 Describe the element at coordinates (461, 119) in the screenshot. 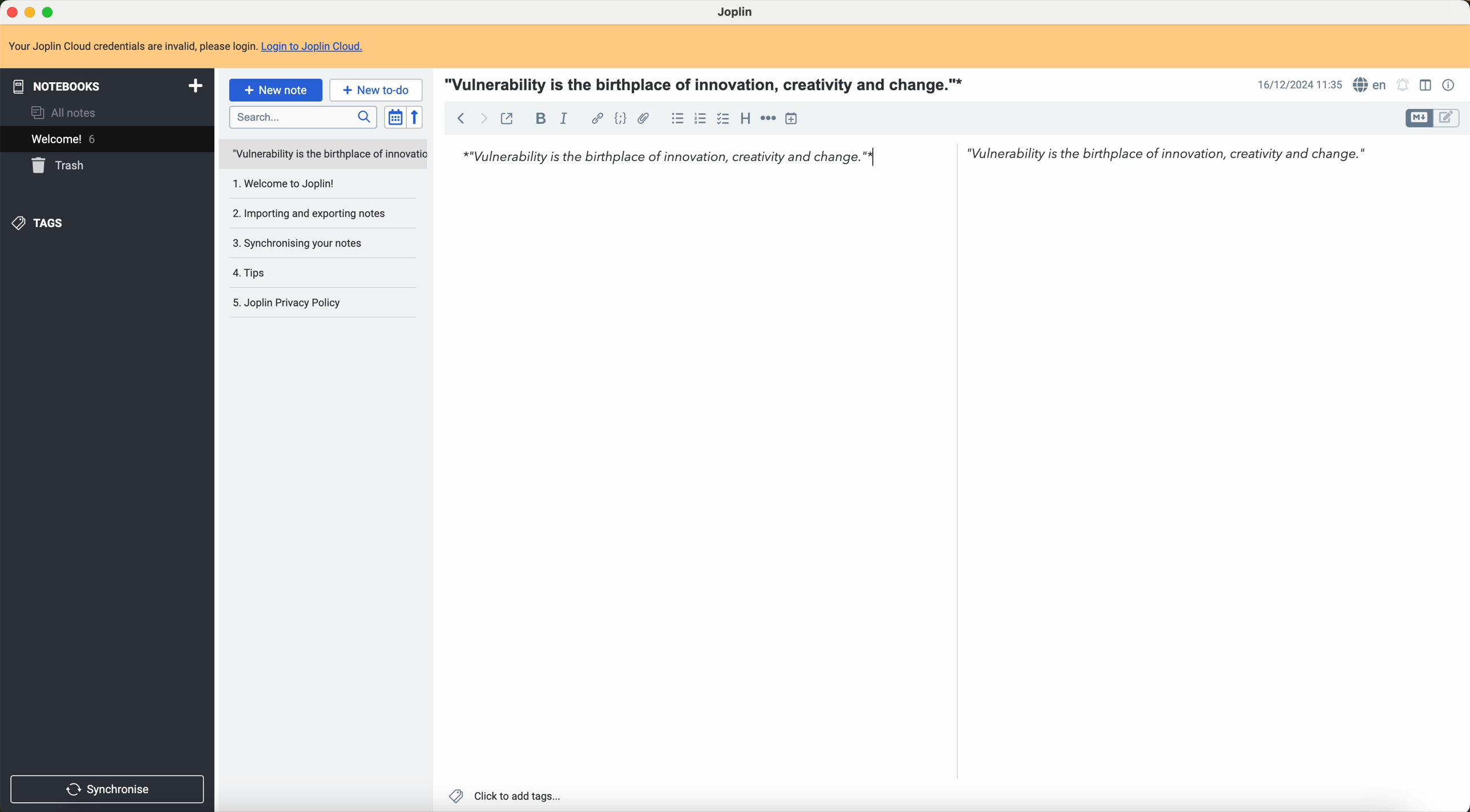

I see `back` at that location.